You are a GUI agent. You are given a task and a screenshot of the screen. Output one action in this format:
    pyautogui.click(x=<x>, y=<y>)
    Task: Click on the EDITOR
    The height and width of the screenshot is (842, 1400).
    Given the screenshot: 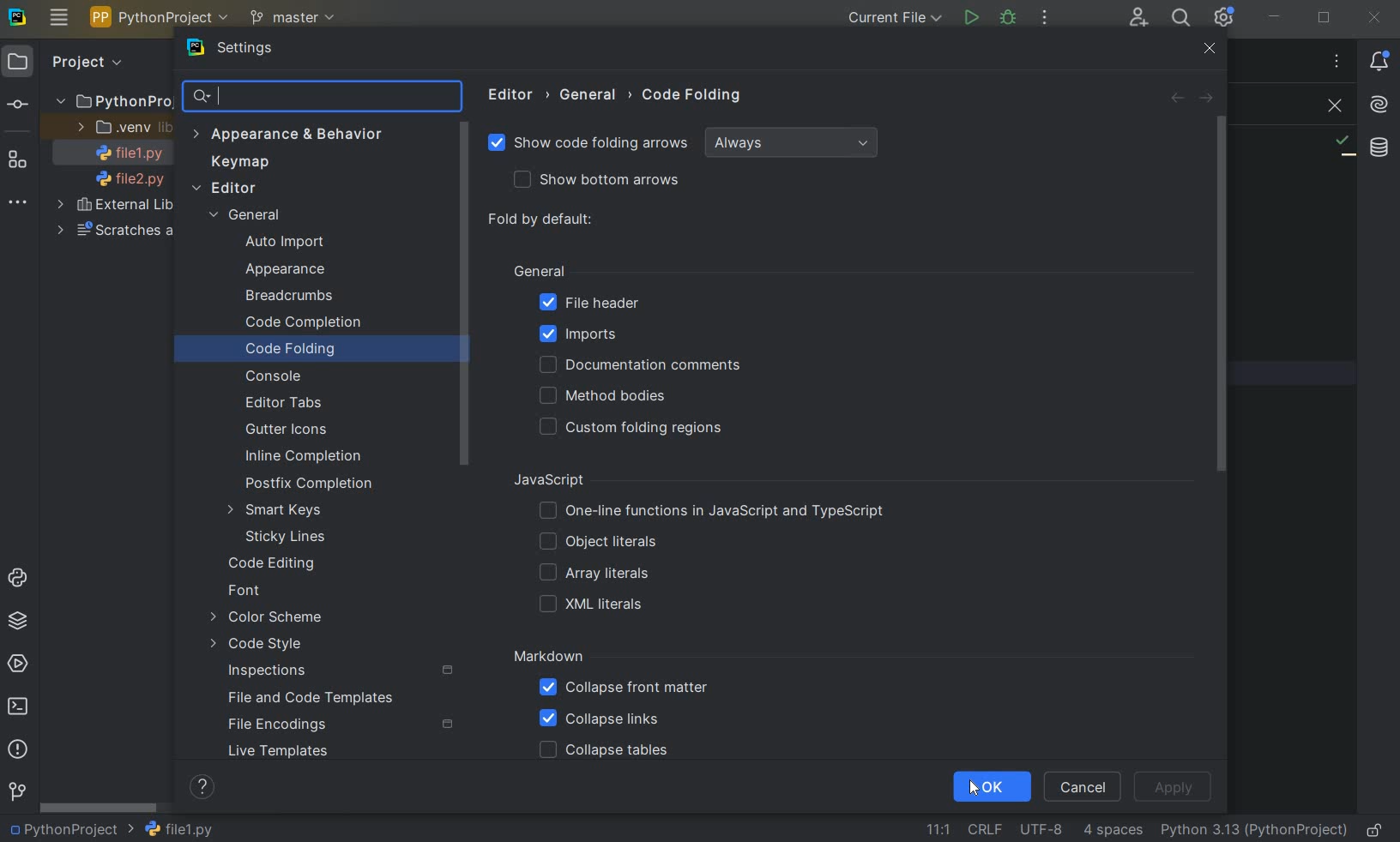 What is the action you would take?
    pyautogui.click(x=226, y=189)
    